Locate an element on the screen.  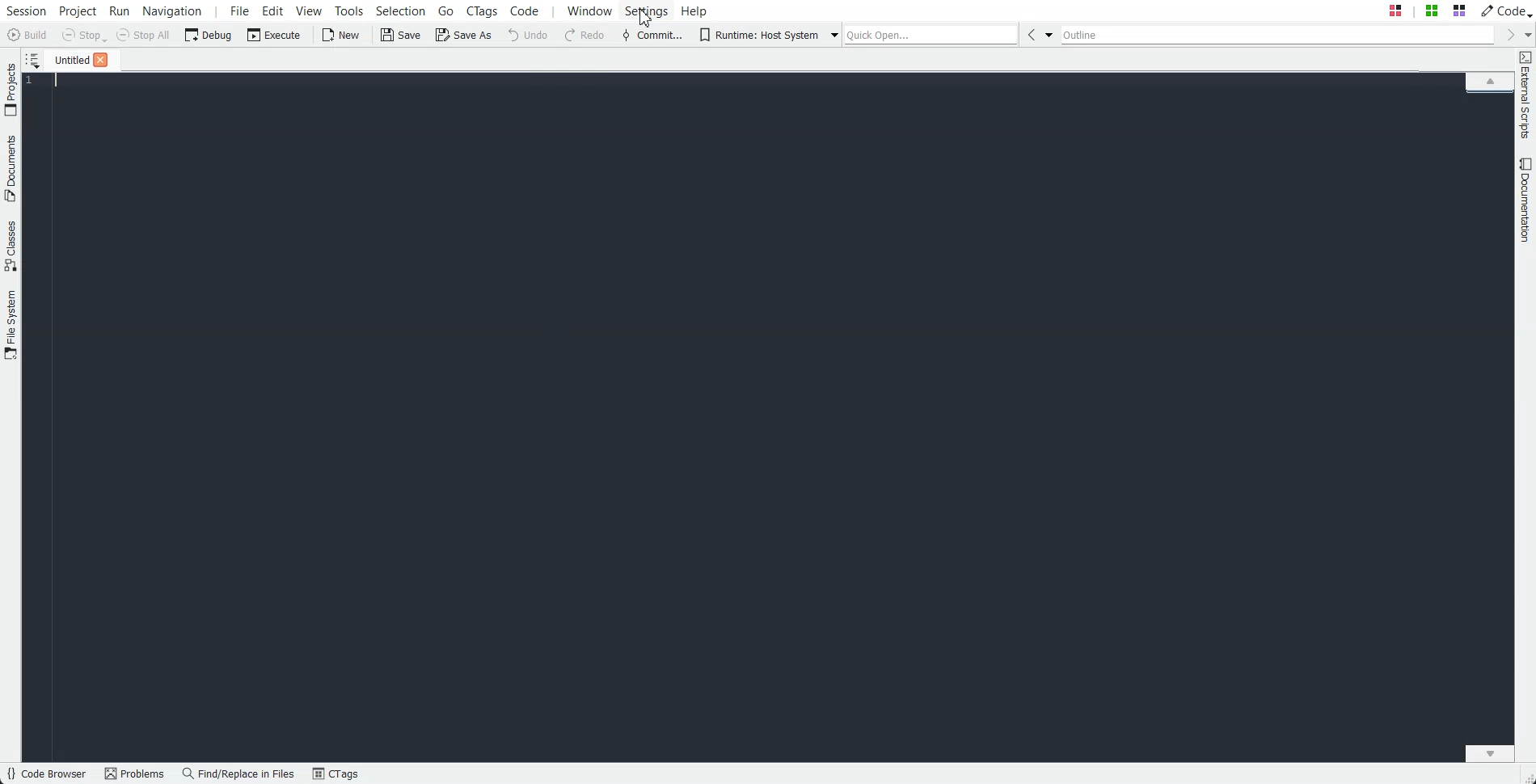
Scroll up is located at coordinates (1490, 80).